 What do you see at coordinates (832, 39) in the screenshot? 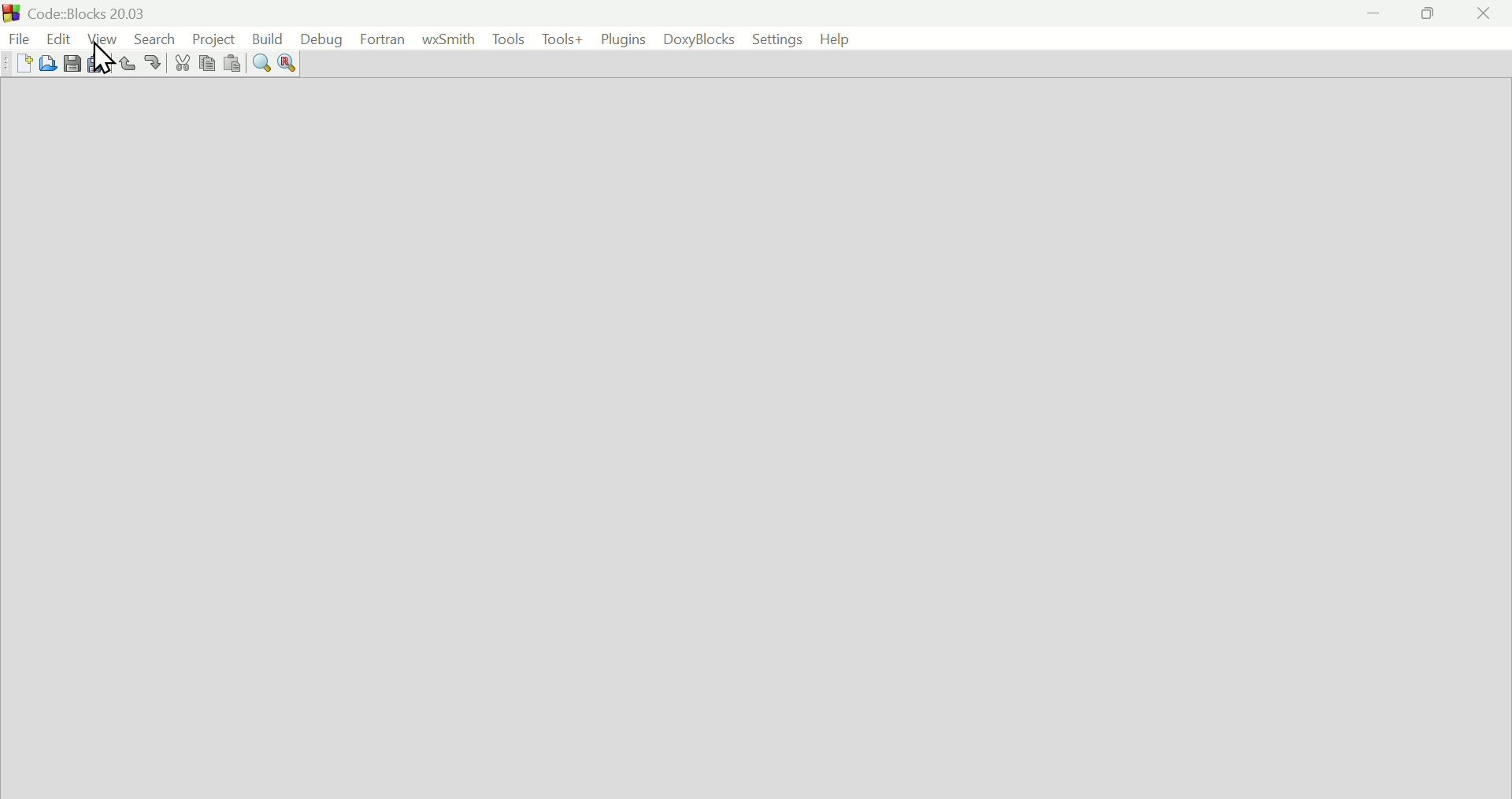
I see `help` at bounding box center [832, 39].